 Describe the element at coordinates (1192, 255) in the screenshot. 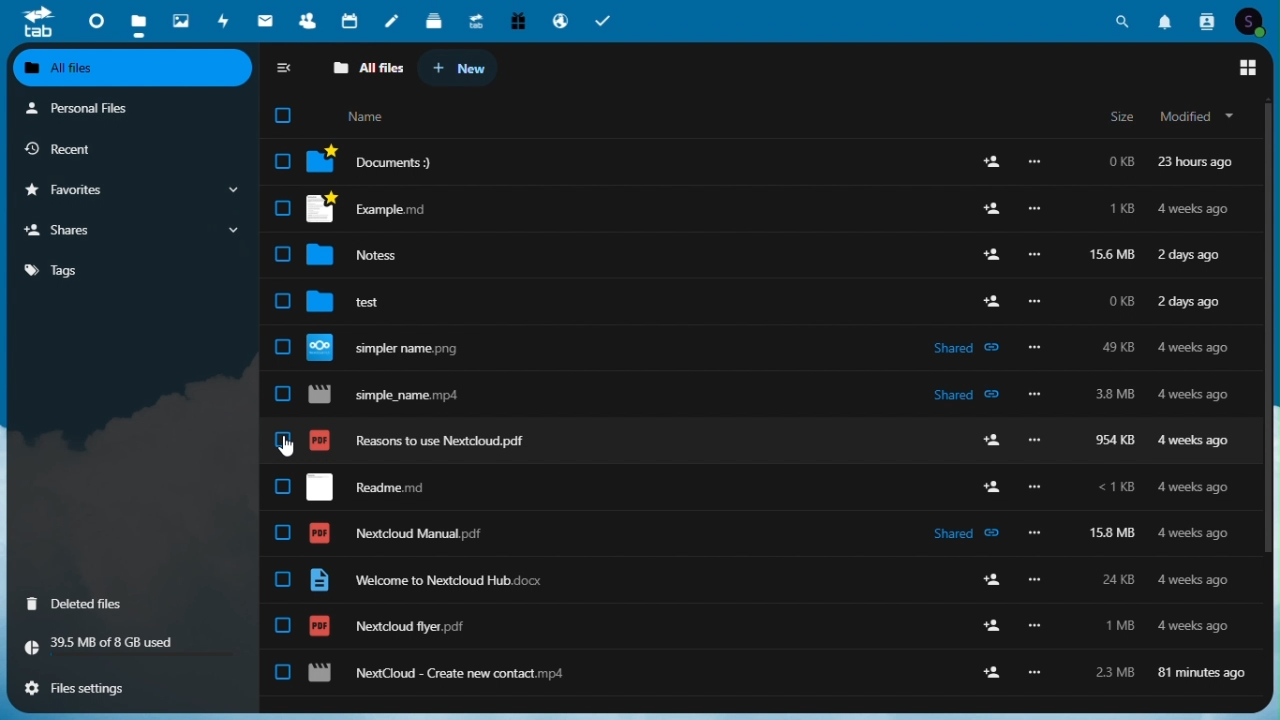

I see `2 days ago` at that location.